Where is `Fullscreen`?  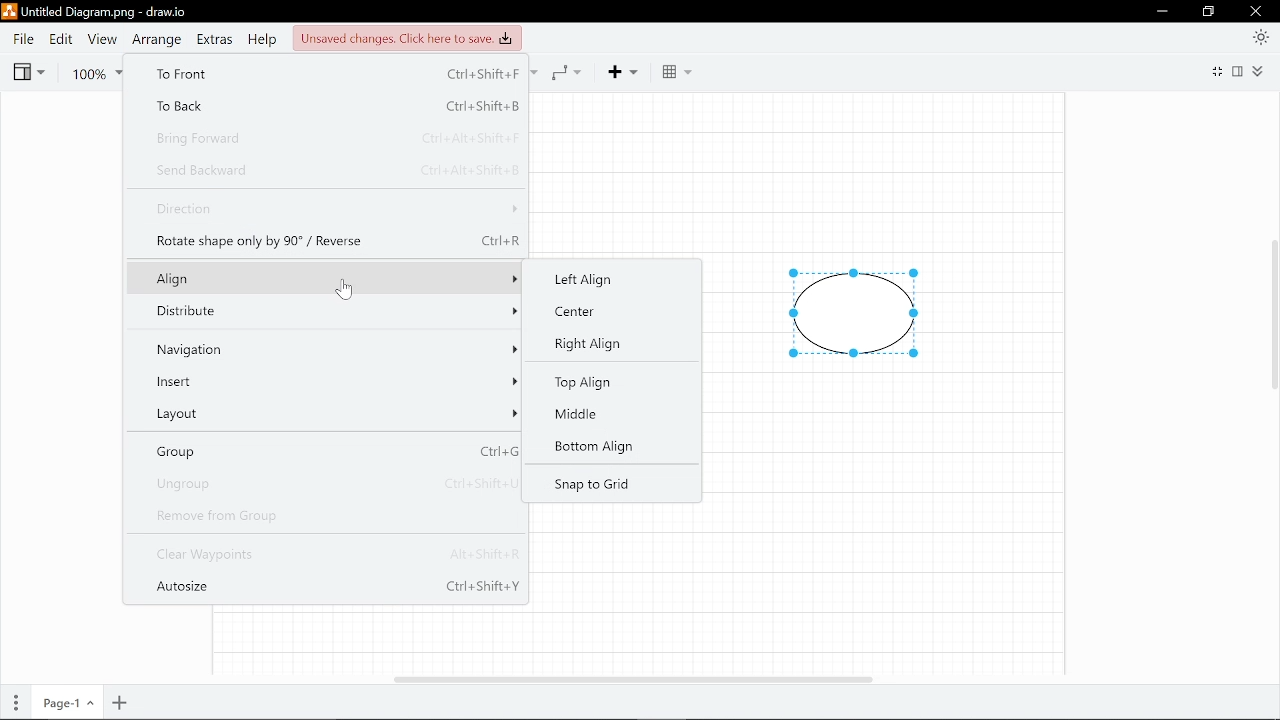
Fullscreen is located at coordinates (1215, 73).